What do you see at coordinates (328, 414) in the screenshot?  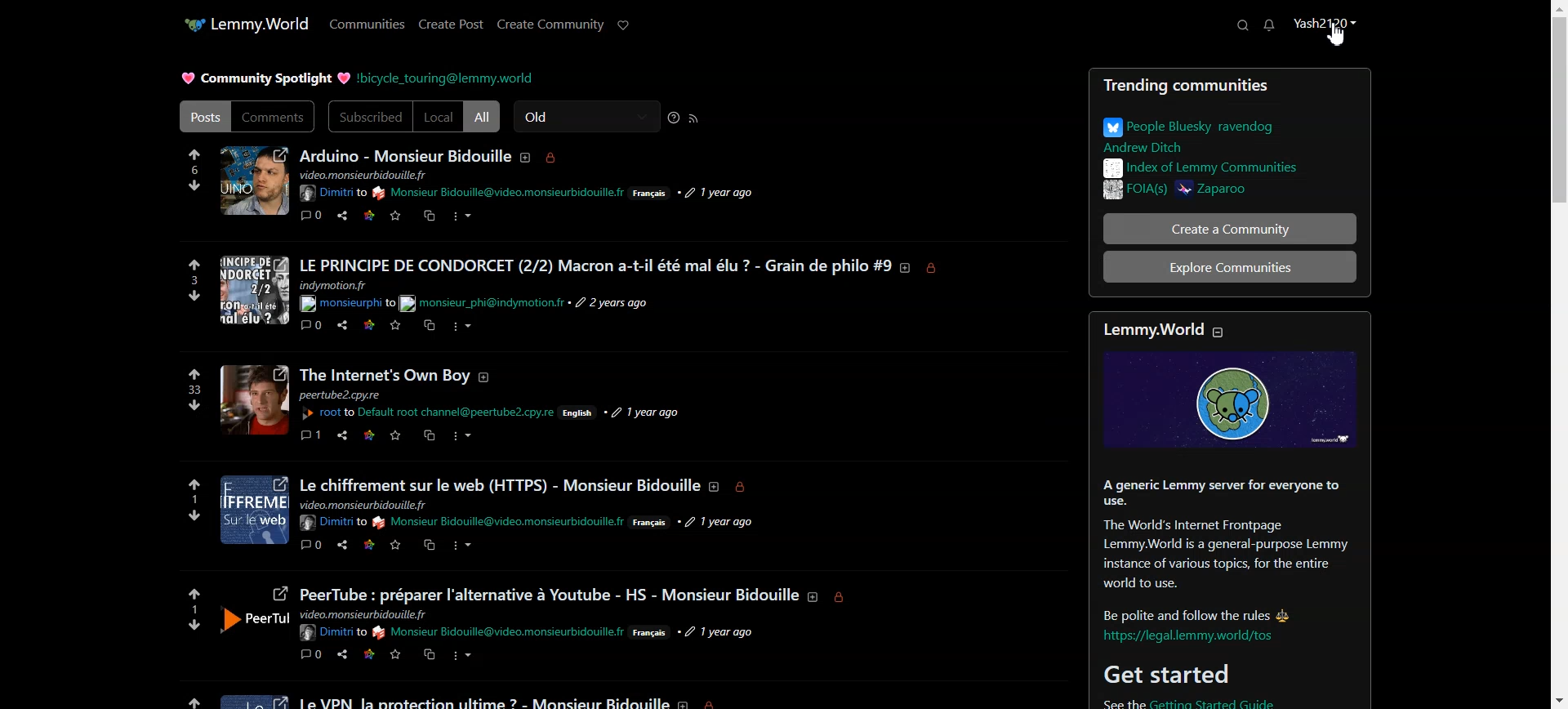 I see `hyperlink` at bounding box center [328, 414].